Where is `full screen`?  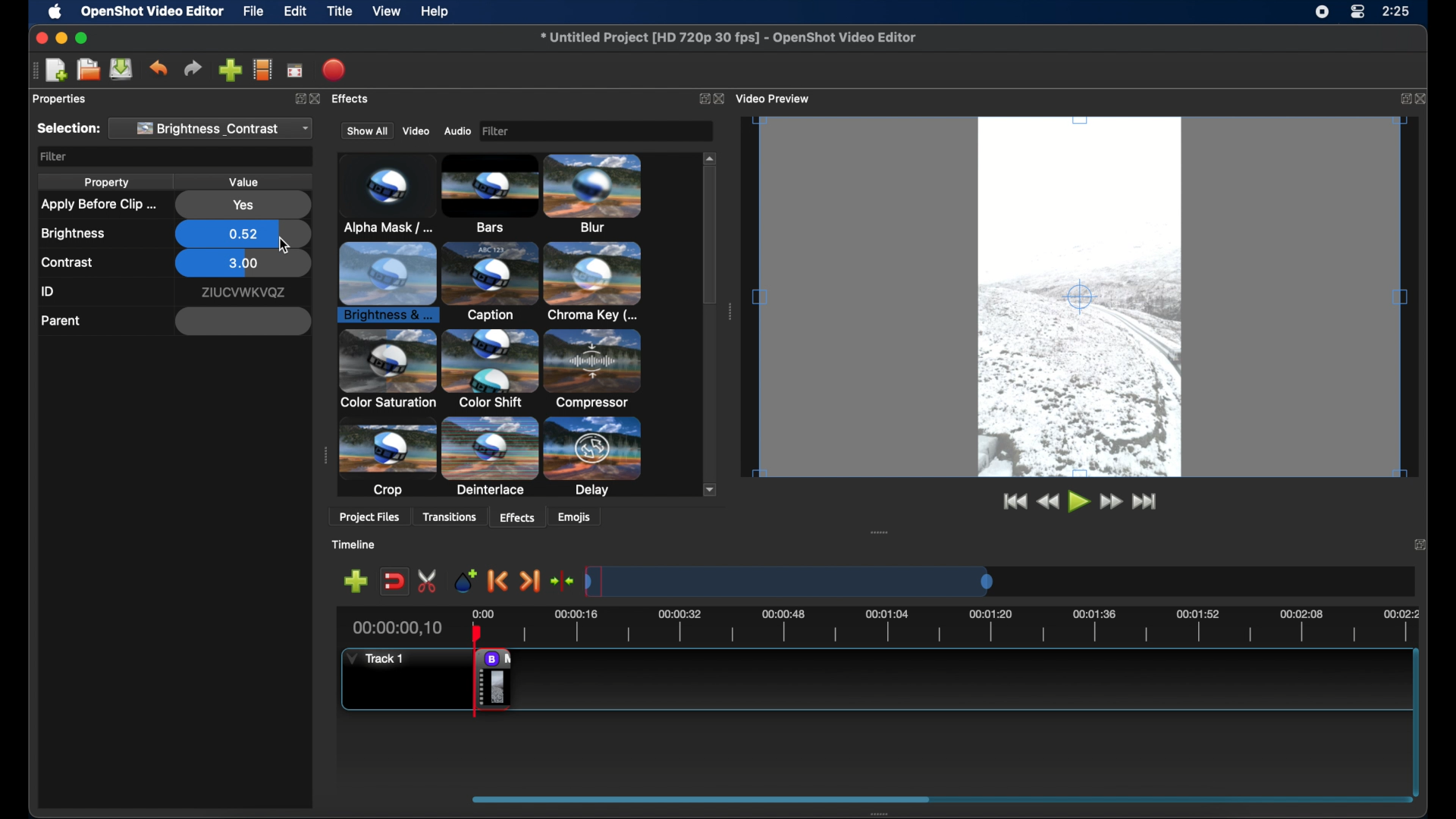 full screen is located at coordinates (295, 71).